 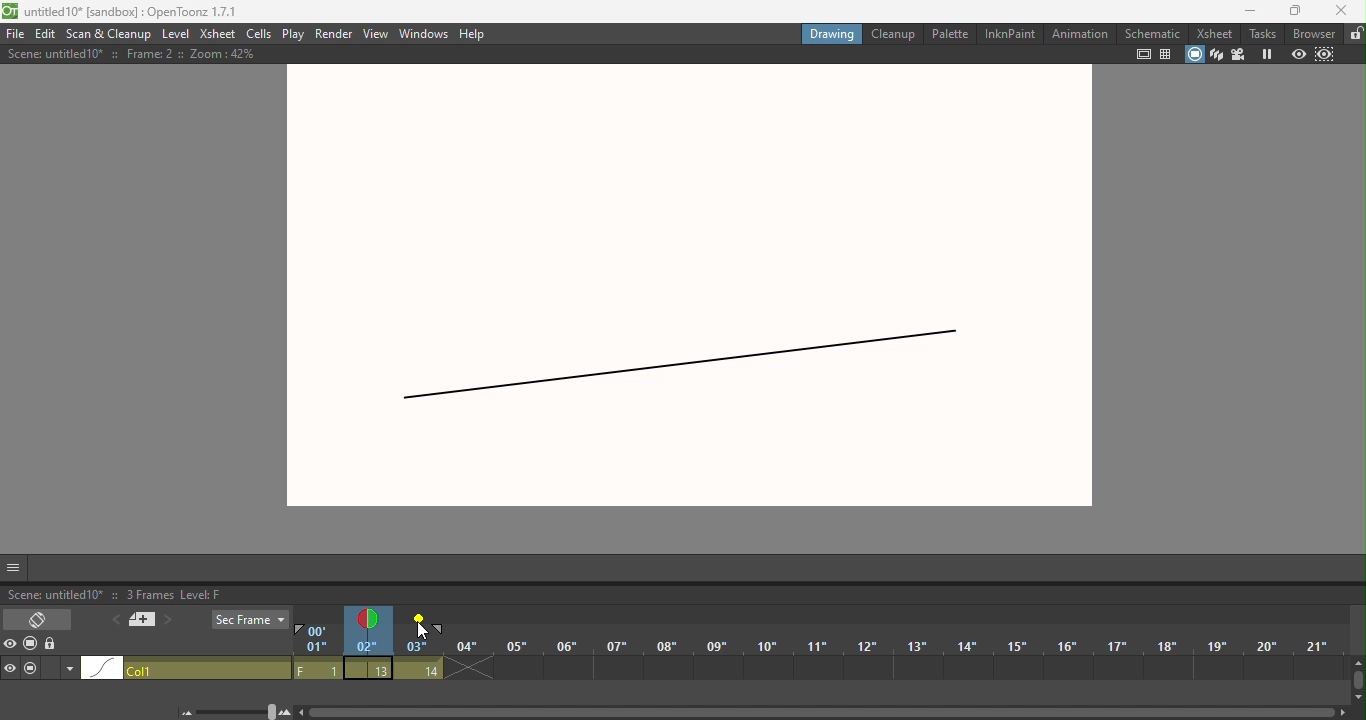 I want to click on Onion skin, so click(x=370, y=617).